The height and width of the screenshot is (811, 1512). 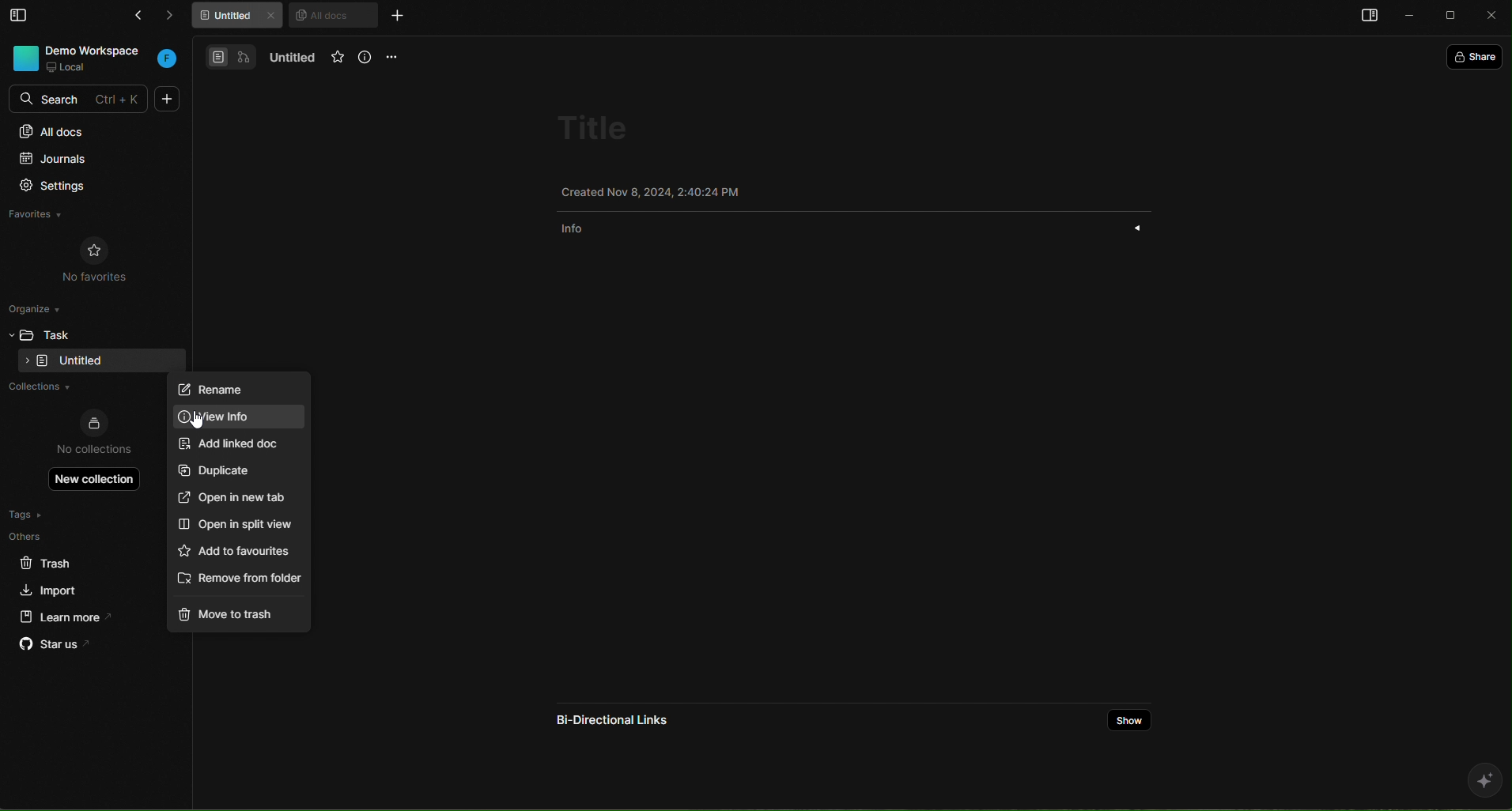 I want to click on favorites, so click(x=51, y=217).